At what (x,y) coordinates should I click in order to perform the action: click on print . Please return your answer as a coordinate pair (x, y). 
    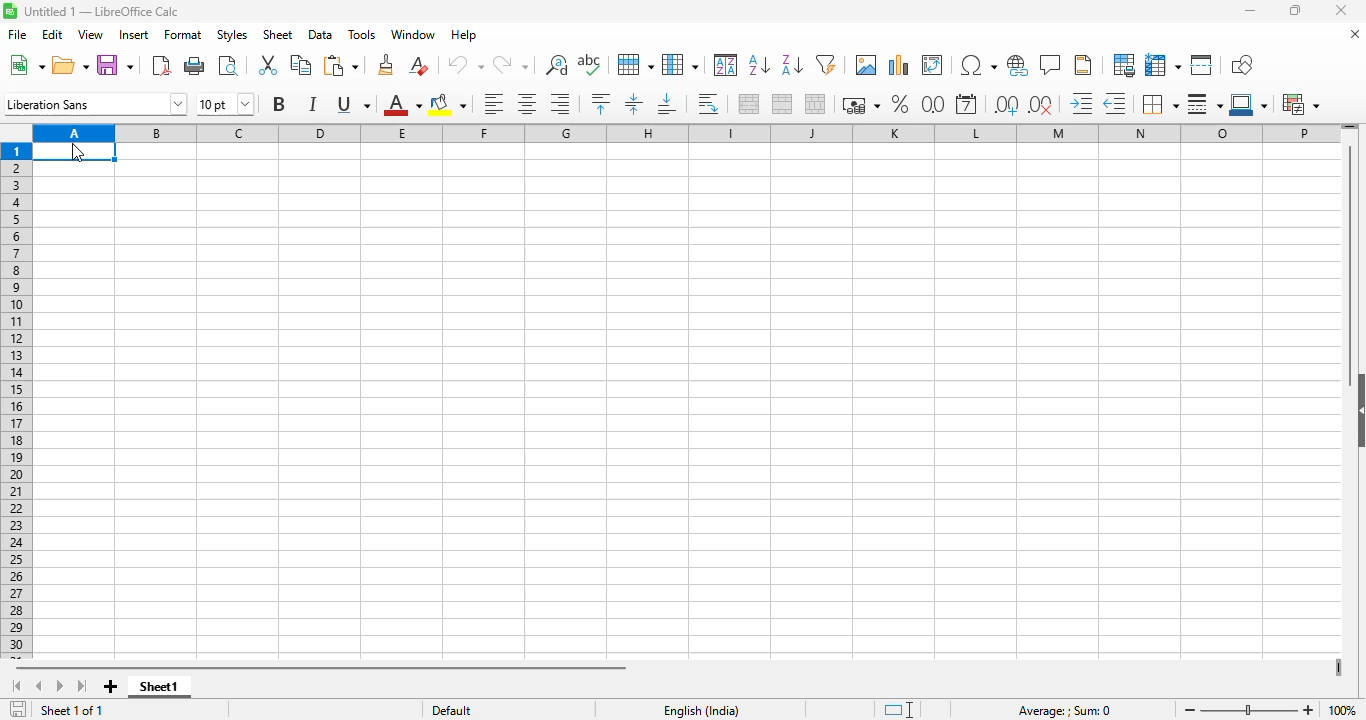
    Looking at the image, I should click on (196, 66).